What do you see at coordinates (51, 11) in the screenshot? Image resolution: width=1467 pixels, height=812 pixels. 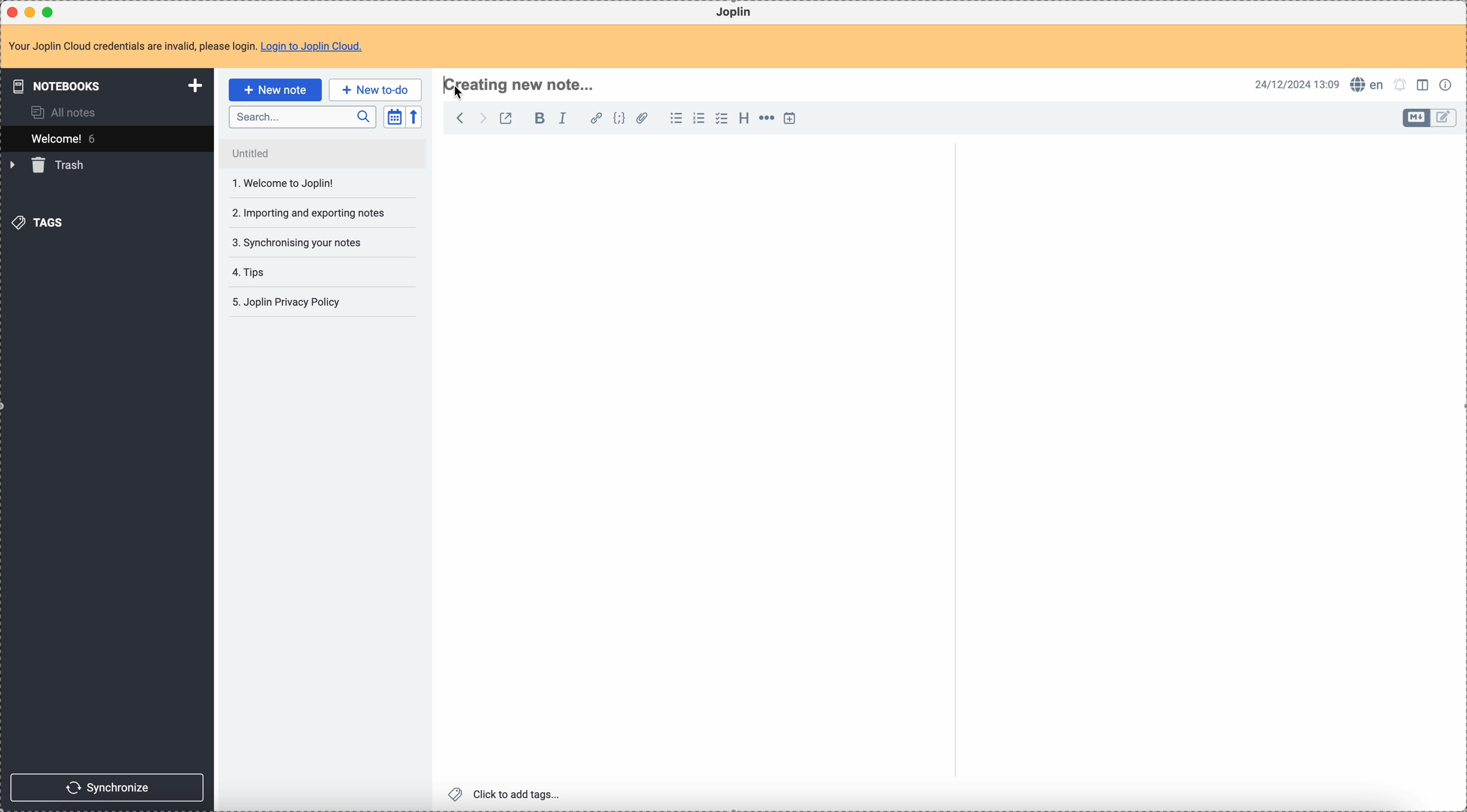 I see `maximize` at bounding box center [51, 11].